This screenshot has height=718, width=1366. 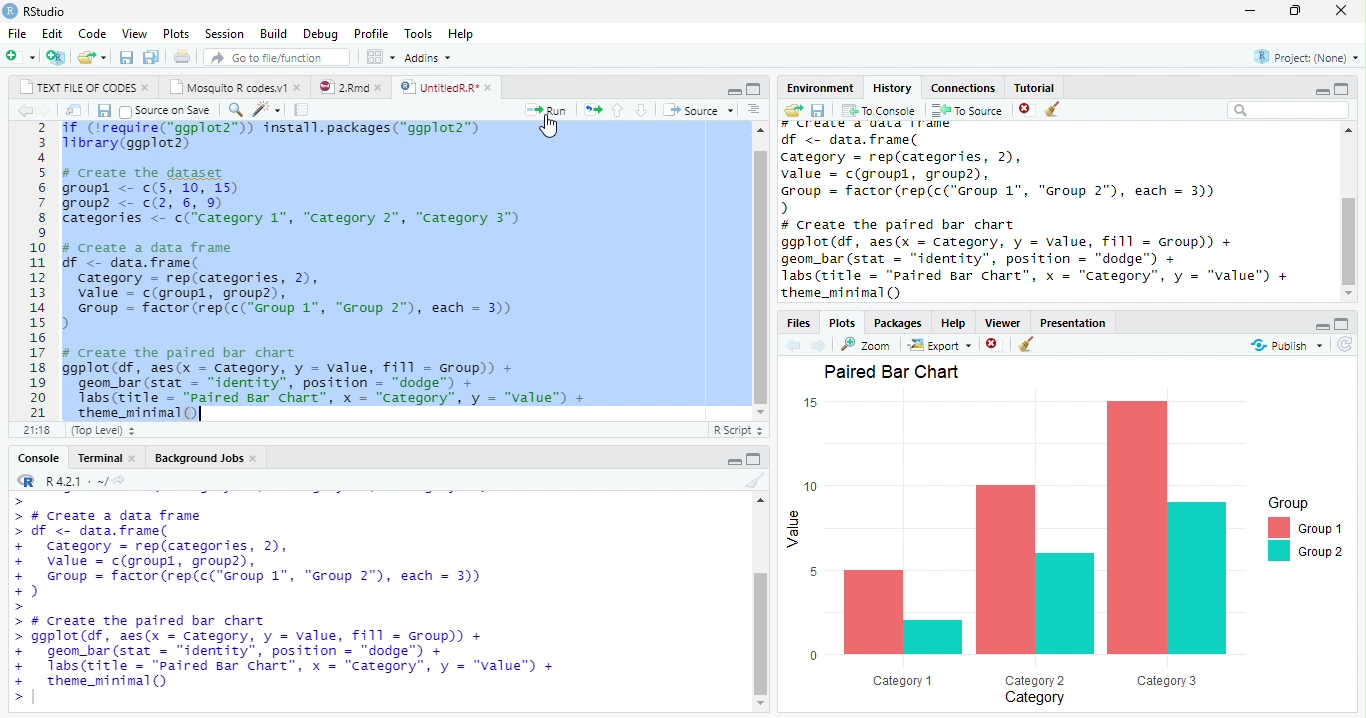 What do you see at coordinates (734, 462) in the screenshot?
I see `minimize` at bounding box center [734, 462].